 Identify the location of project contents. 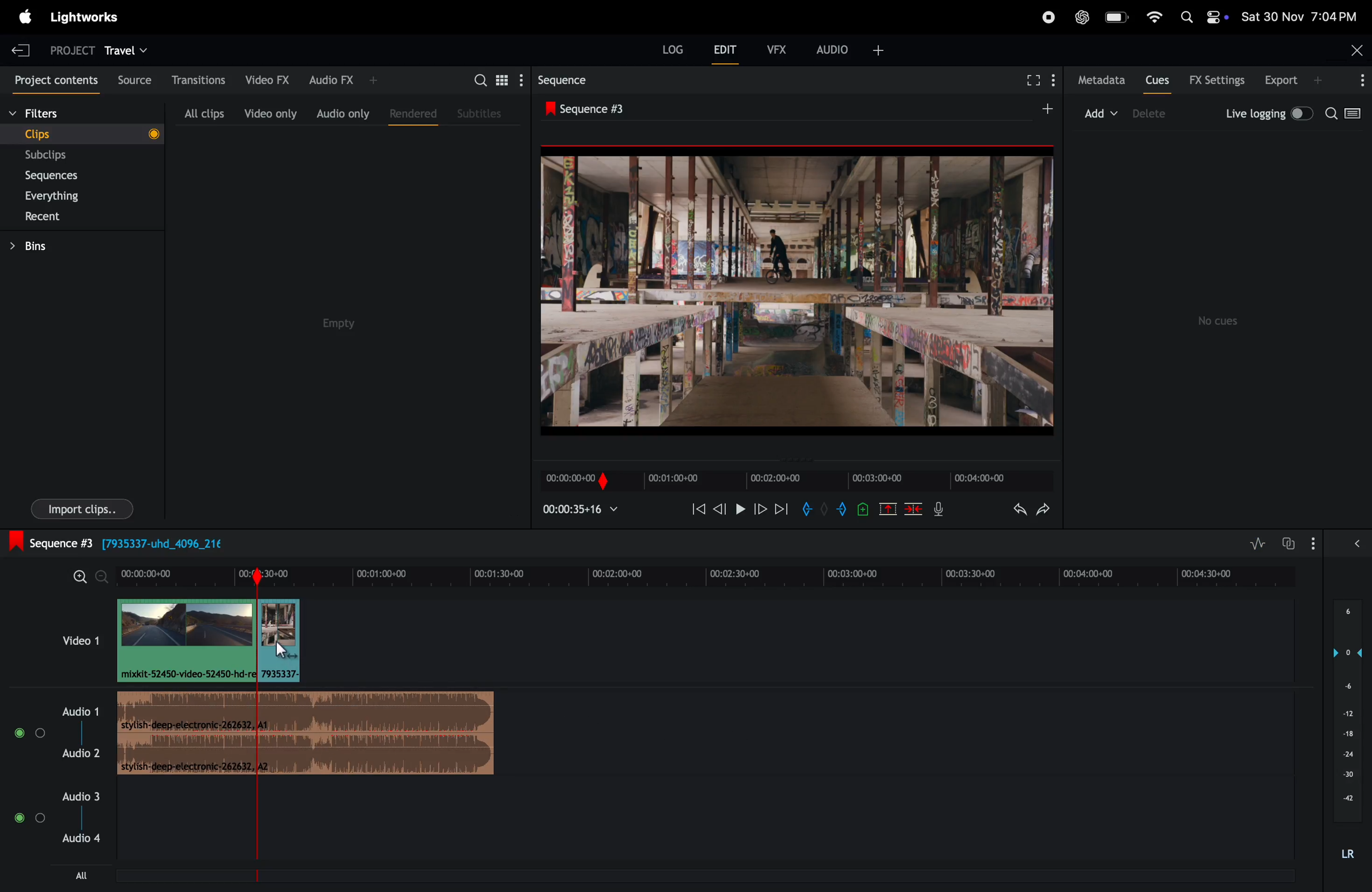
(51, 78).